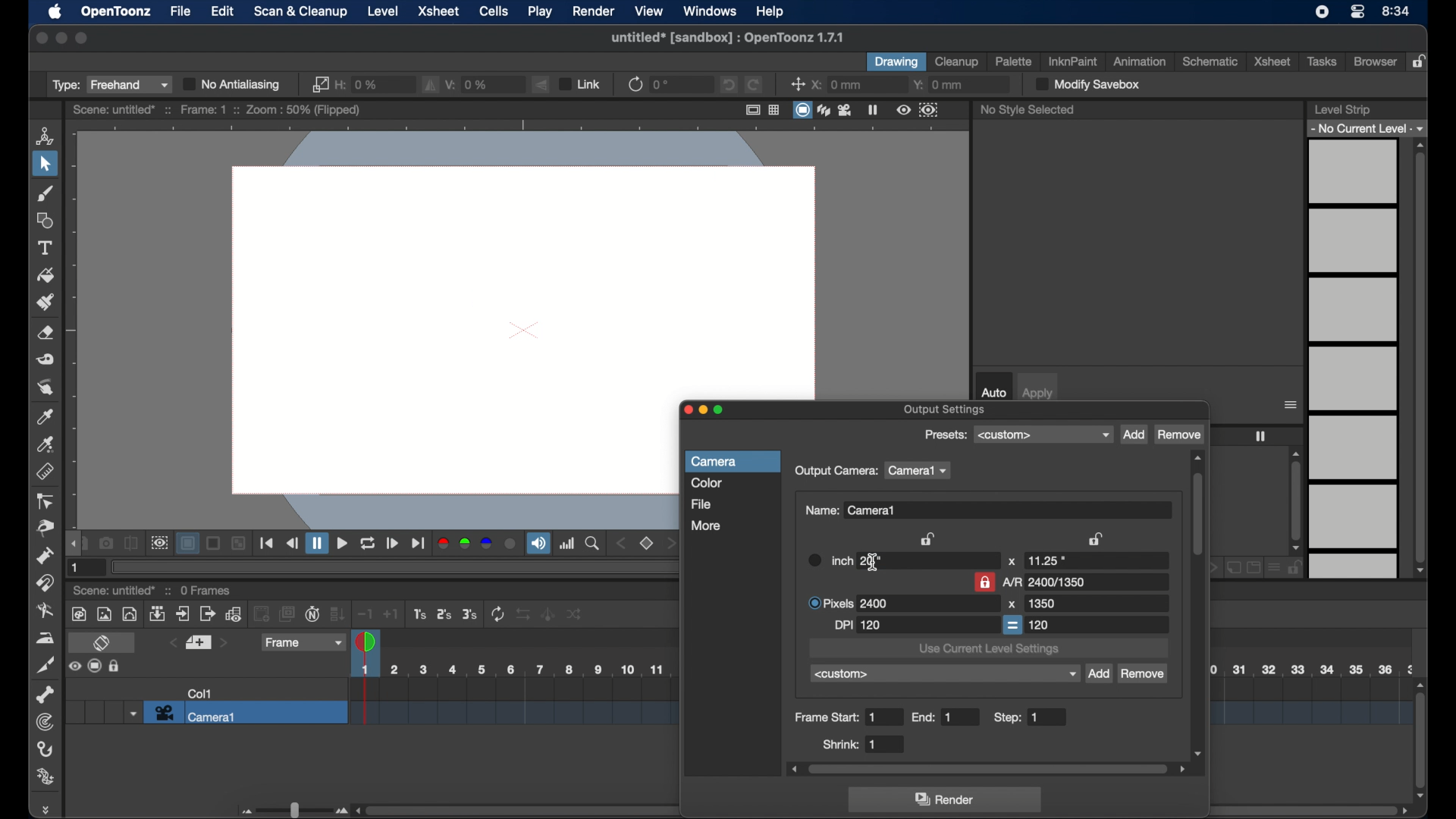 The image size is (1456, 819). I want to click on scroll box, so click(1420, 358).